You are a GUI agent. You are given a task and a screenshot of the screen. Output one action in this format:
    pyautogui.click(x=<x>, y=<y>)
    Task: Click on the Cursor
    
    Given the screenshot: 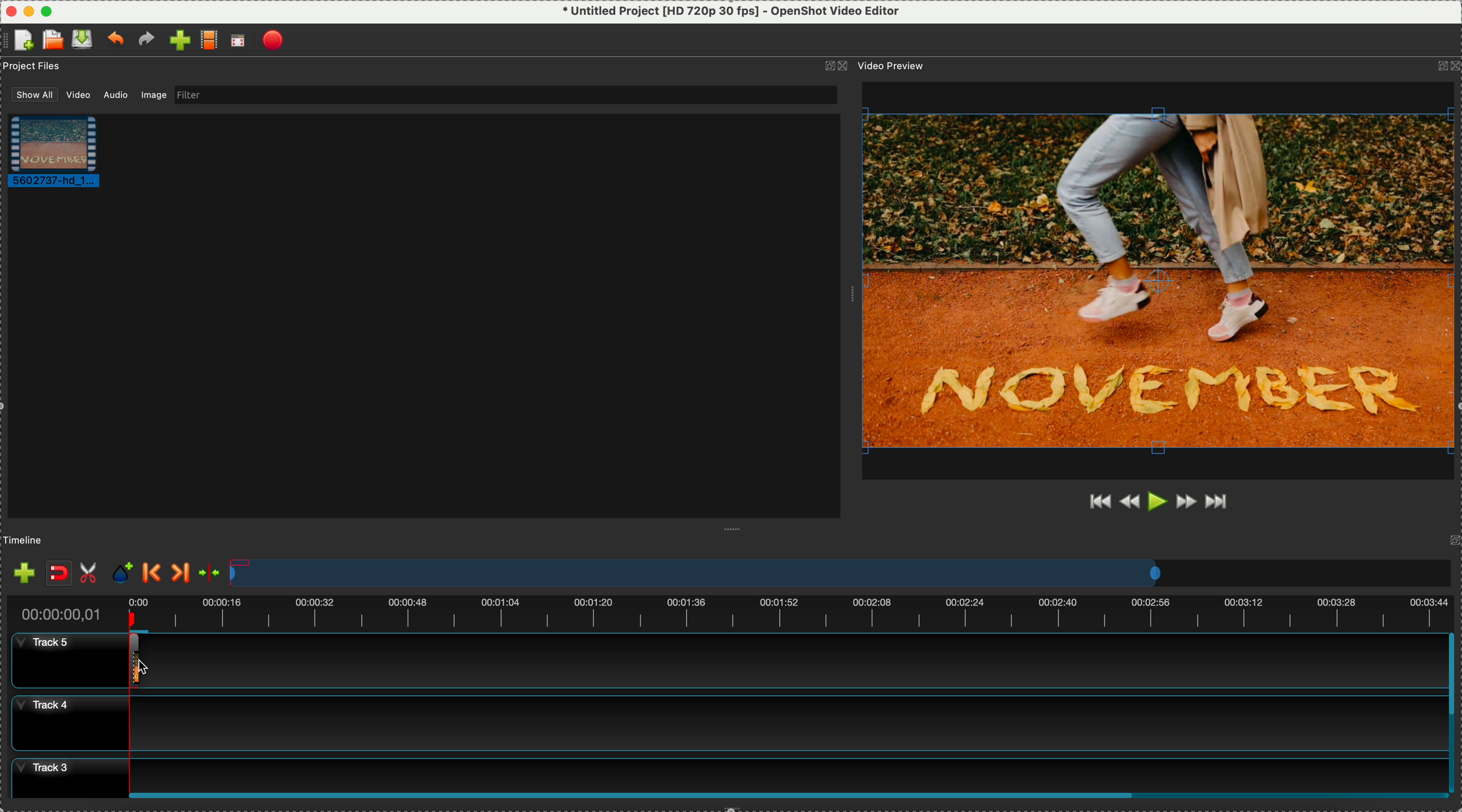 What is the action you would take?
    pyautogui.click(x=129, y=662)
    